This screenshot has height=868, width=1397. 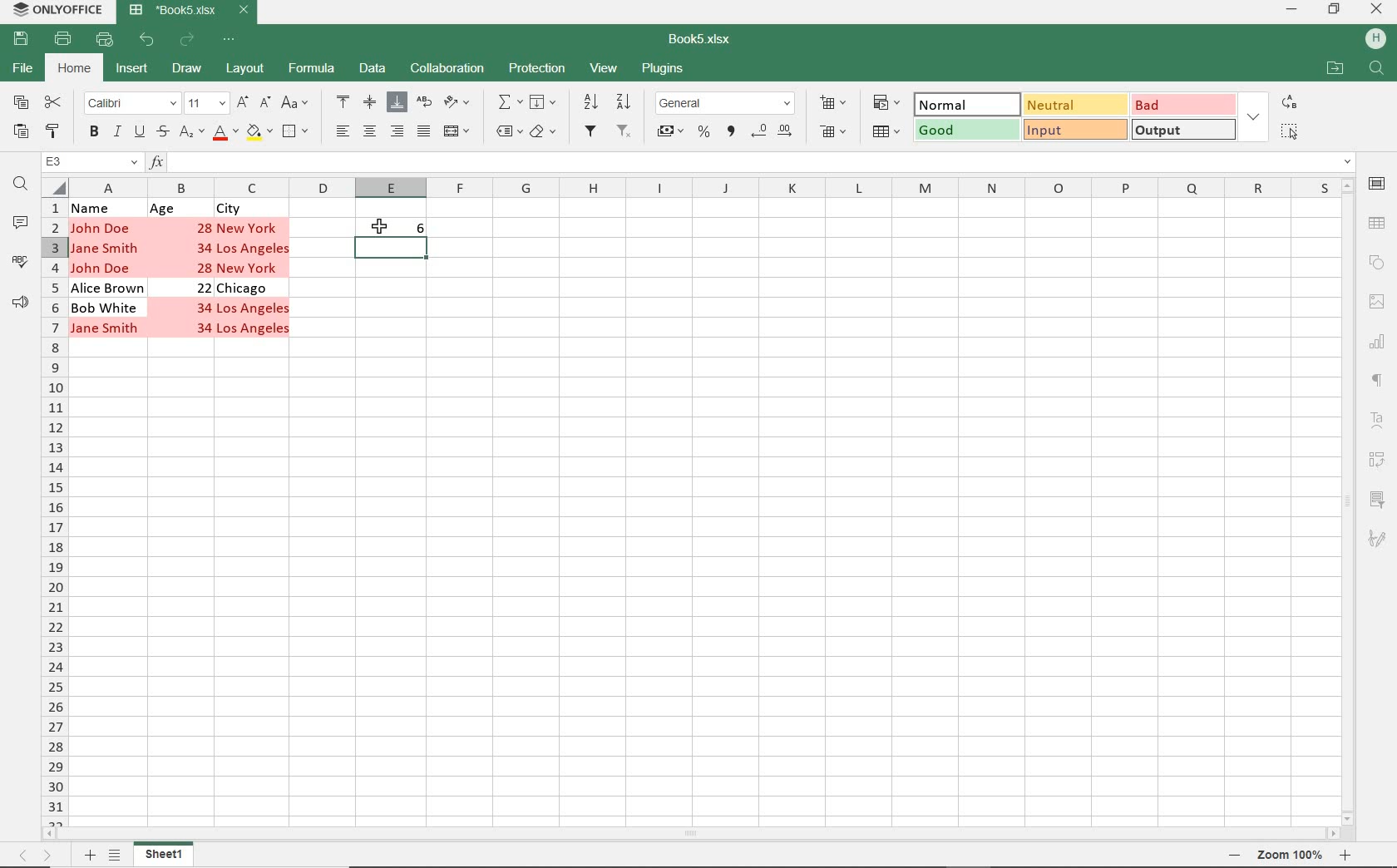 I want to click on NEUTRAL, so click(x=1074, y=104).